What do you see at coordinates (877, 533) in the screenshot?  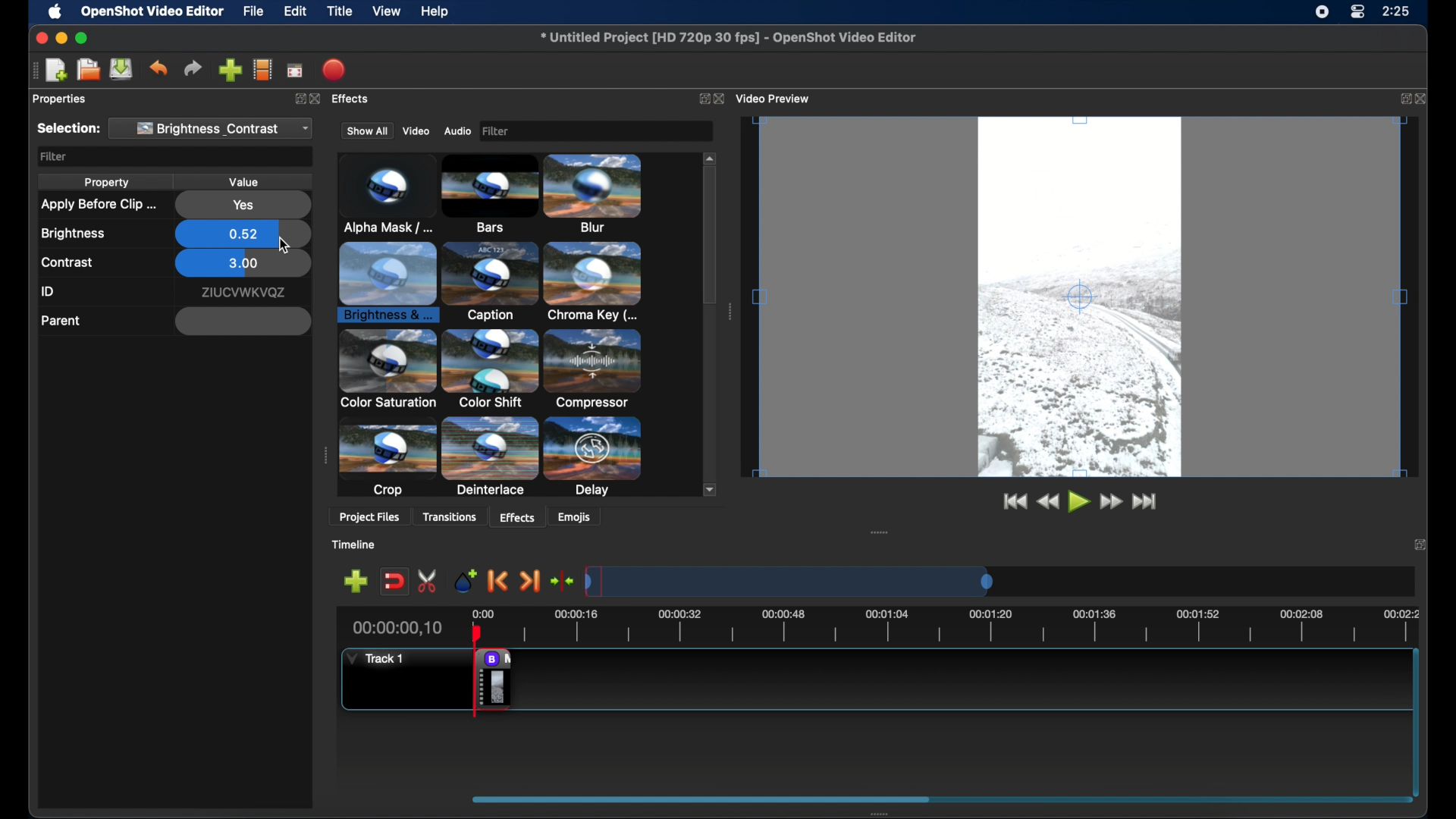 I see `drag handle` at bounding box center [877, 533].